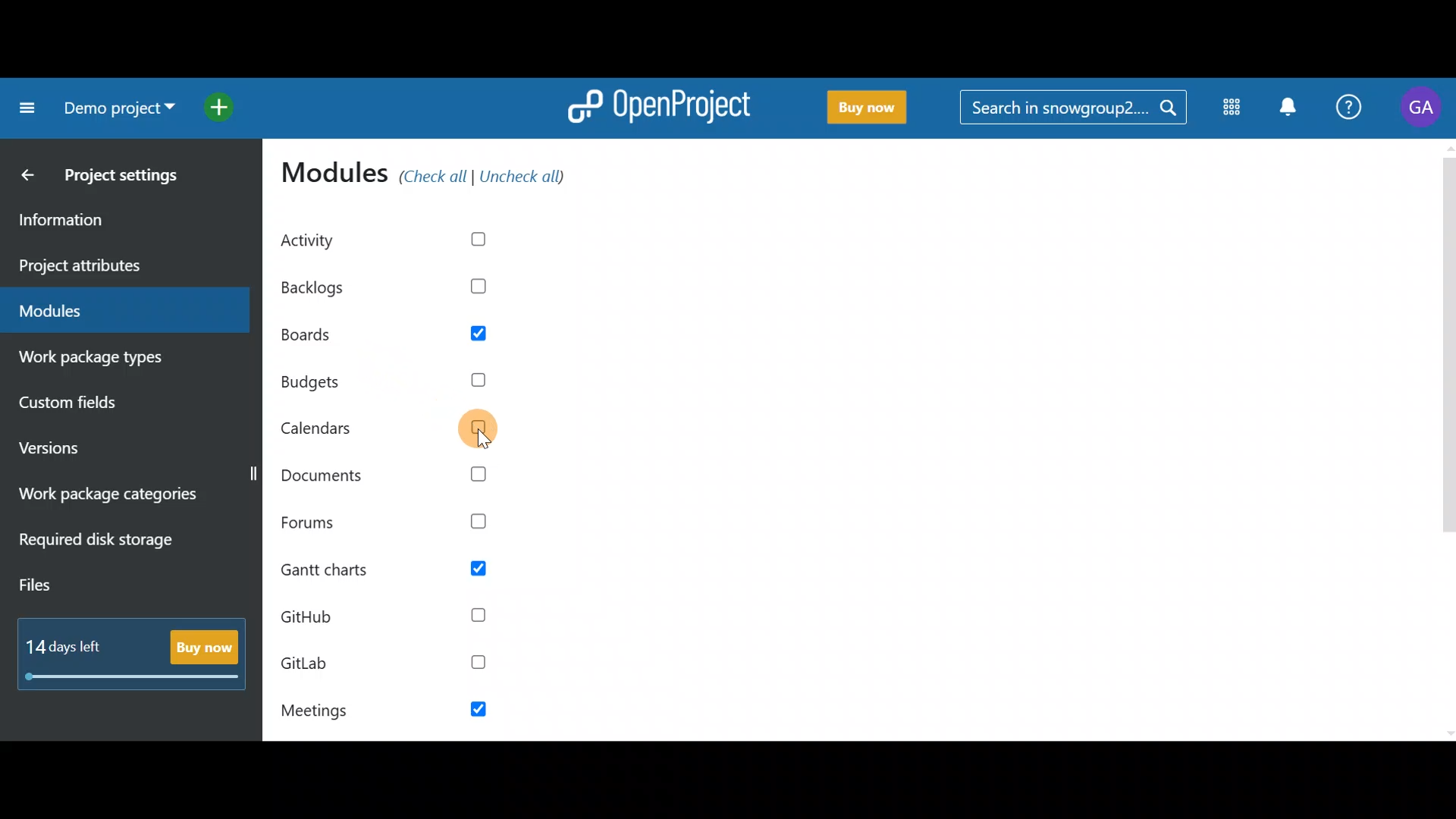  Describe the element at coordinates (136, 649) in the screenshot. I see `Buy now` at that location.